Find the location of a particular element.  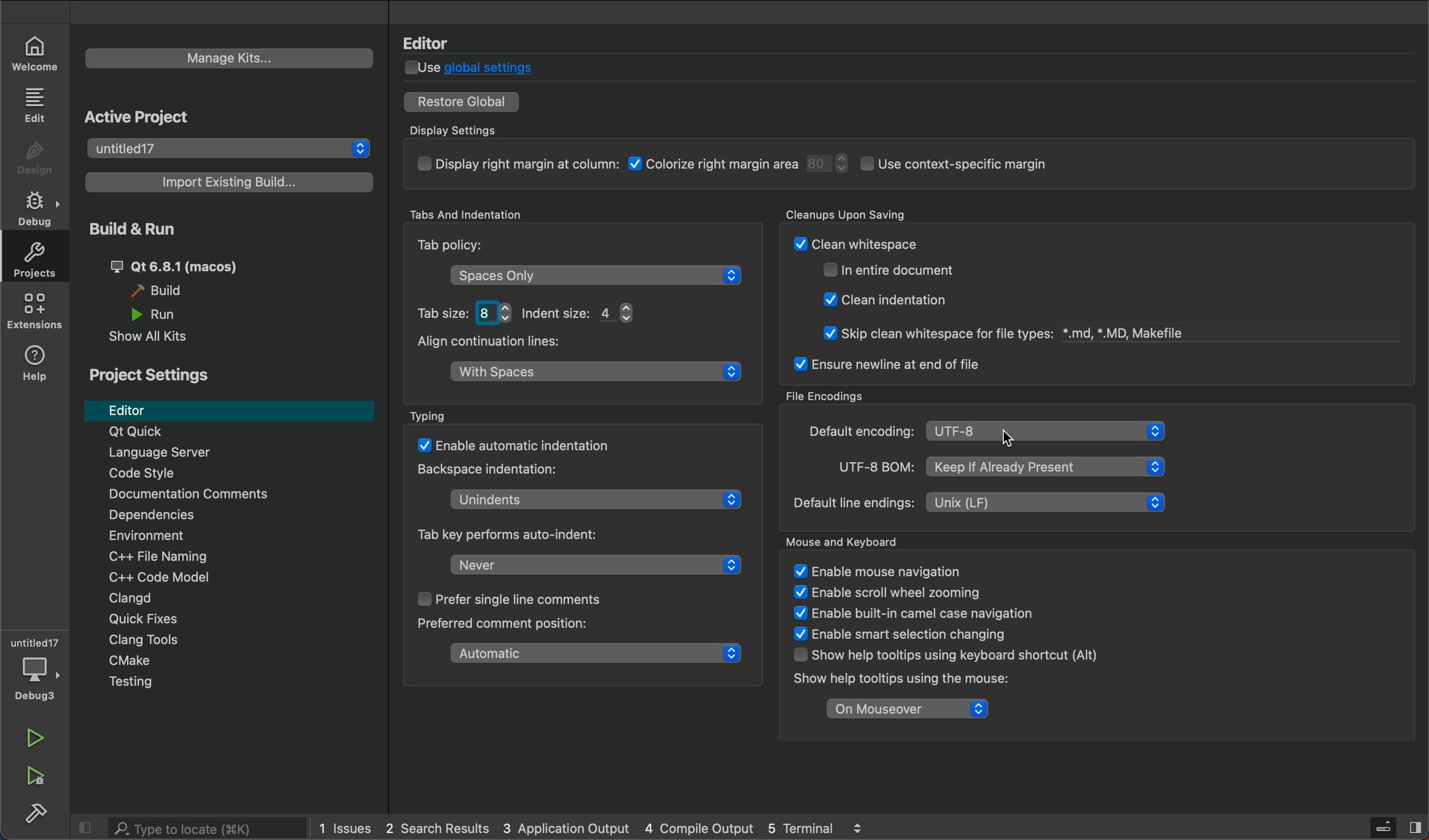

Indent Size is located at coordinates (582, 312).